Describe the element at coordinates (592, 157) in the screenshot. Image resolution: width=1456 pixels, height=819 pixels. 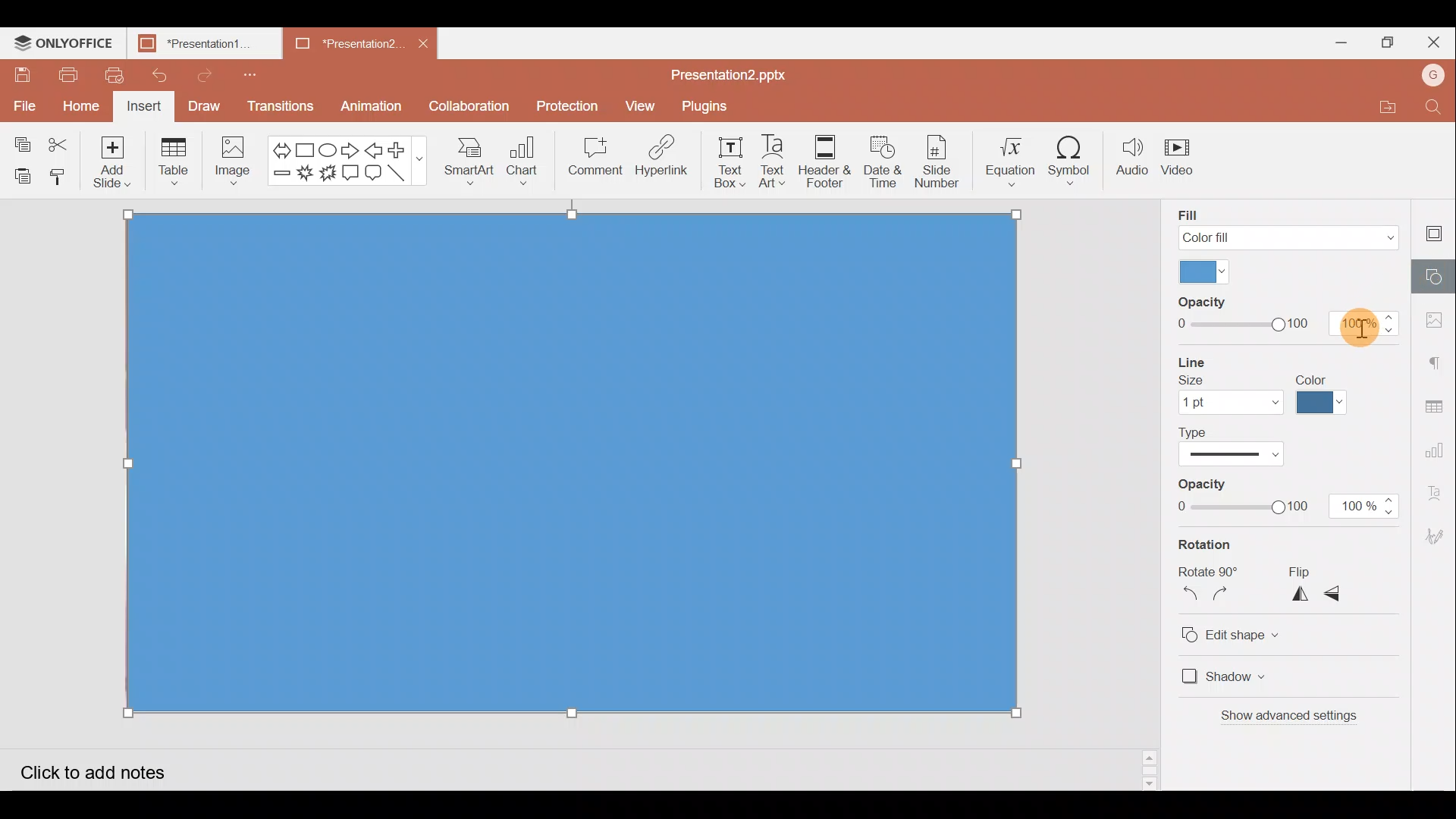
I see `Comment` at that location.